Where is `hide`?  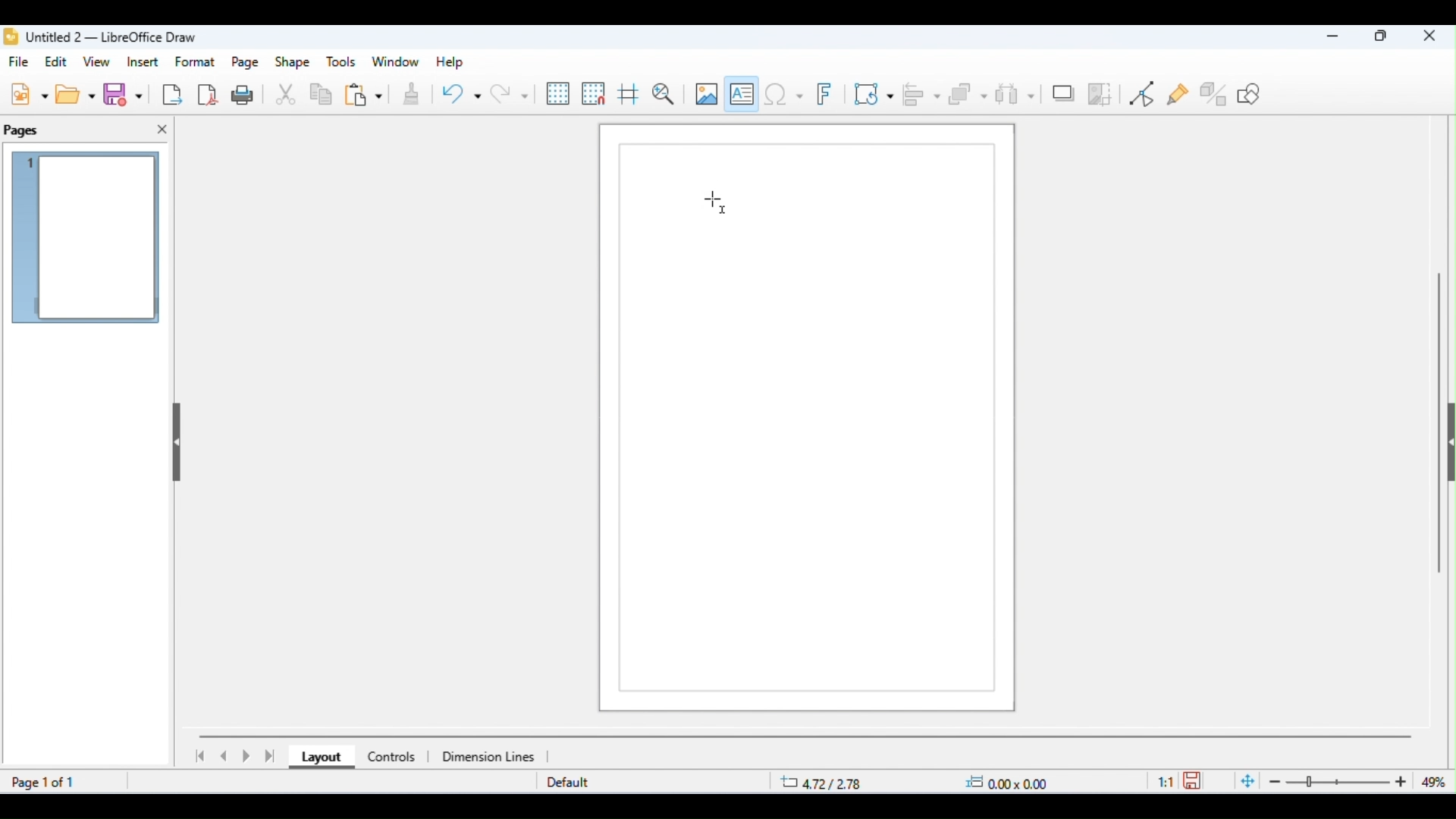 hide is located at coordinates (174, 438).